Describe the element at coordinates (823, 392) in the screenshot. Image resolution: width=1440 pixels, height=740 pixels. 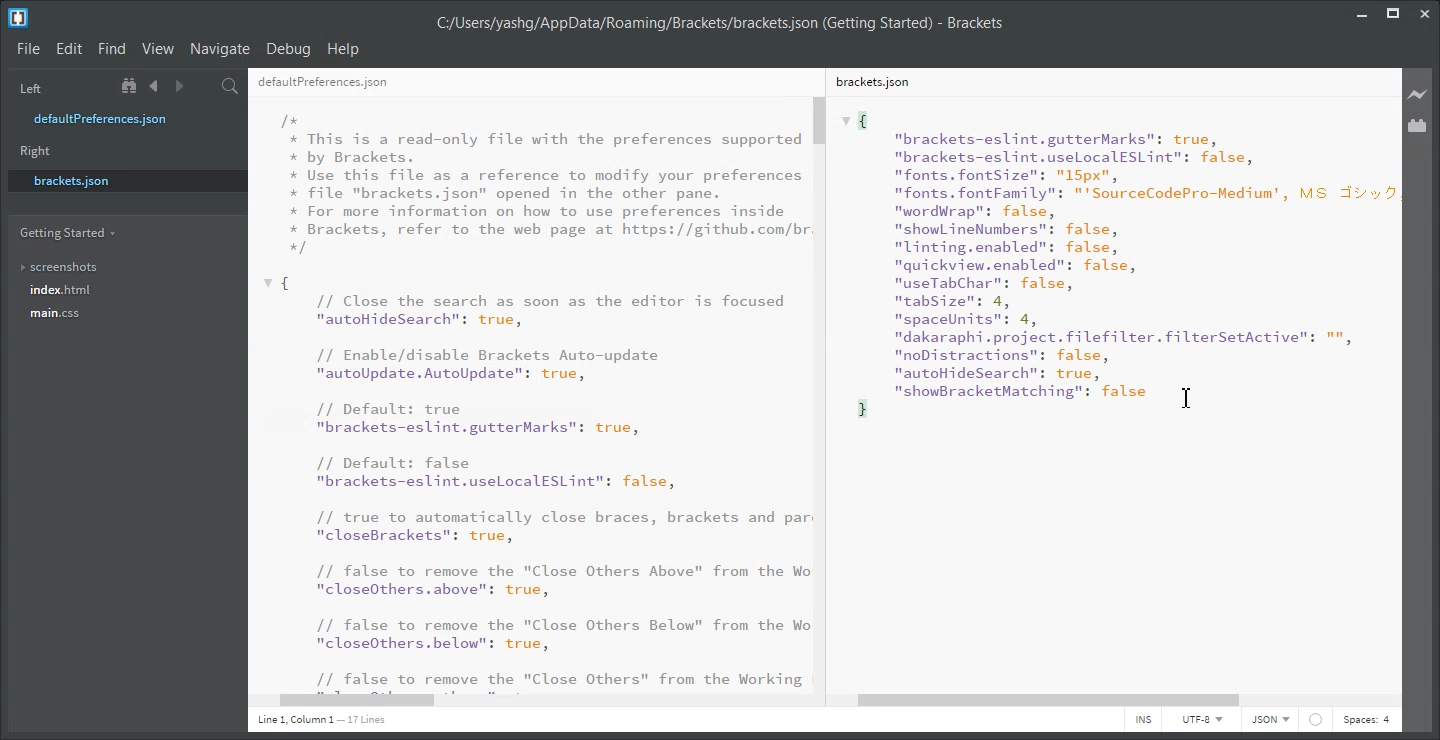
I see `Vertical Scroll bar` at that location.